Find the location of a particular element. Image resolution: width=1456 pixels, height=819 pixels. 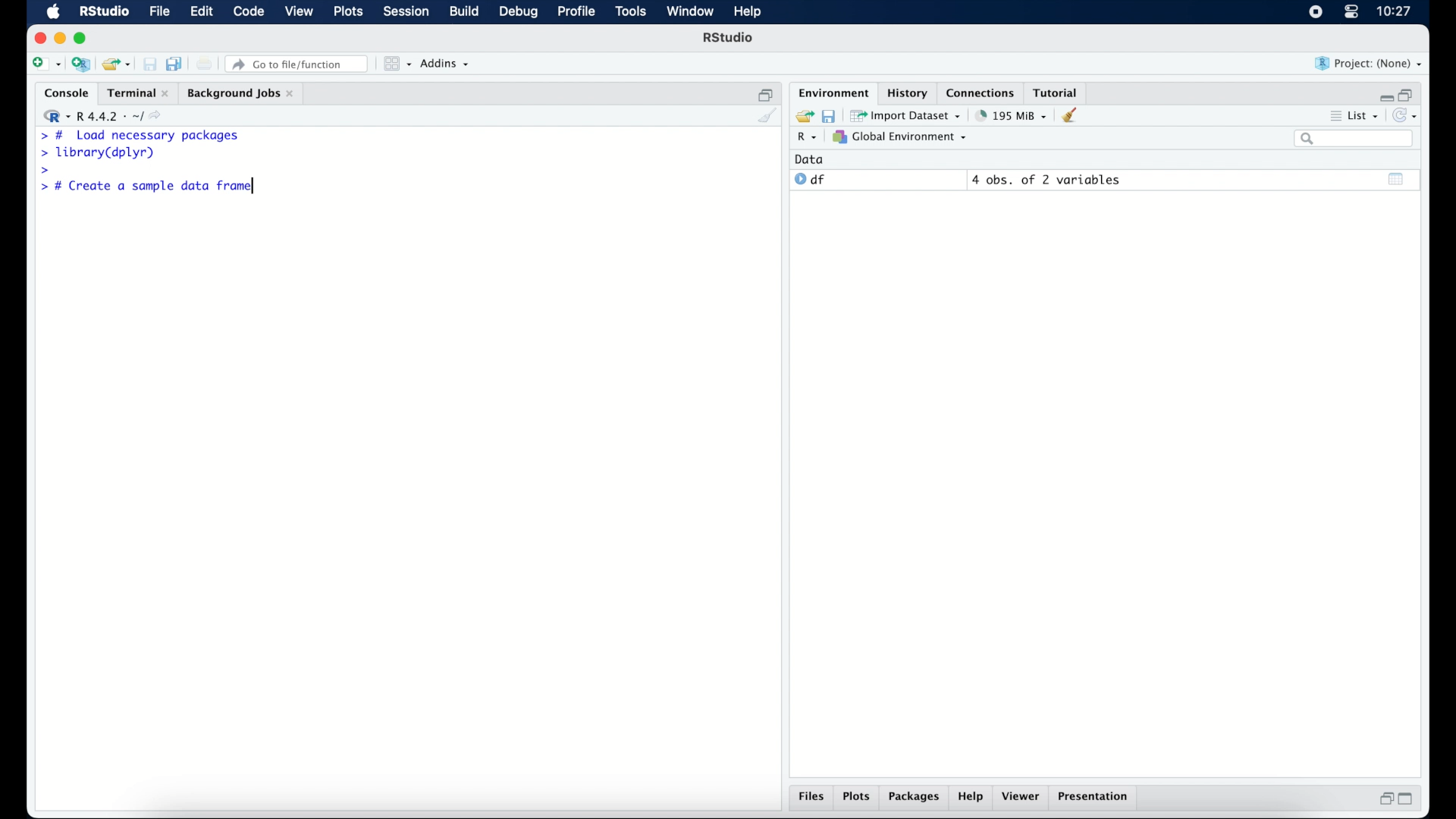

save is located at coordinates (149, 64).